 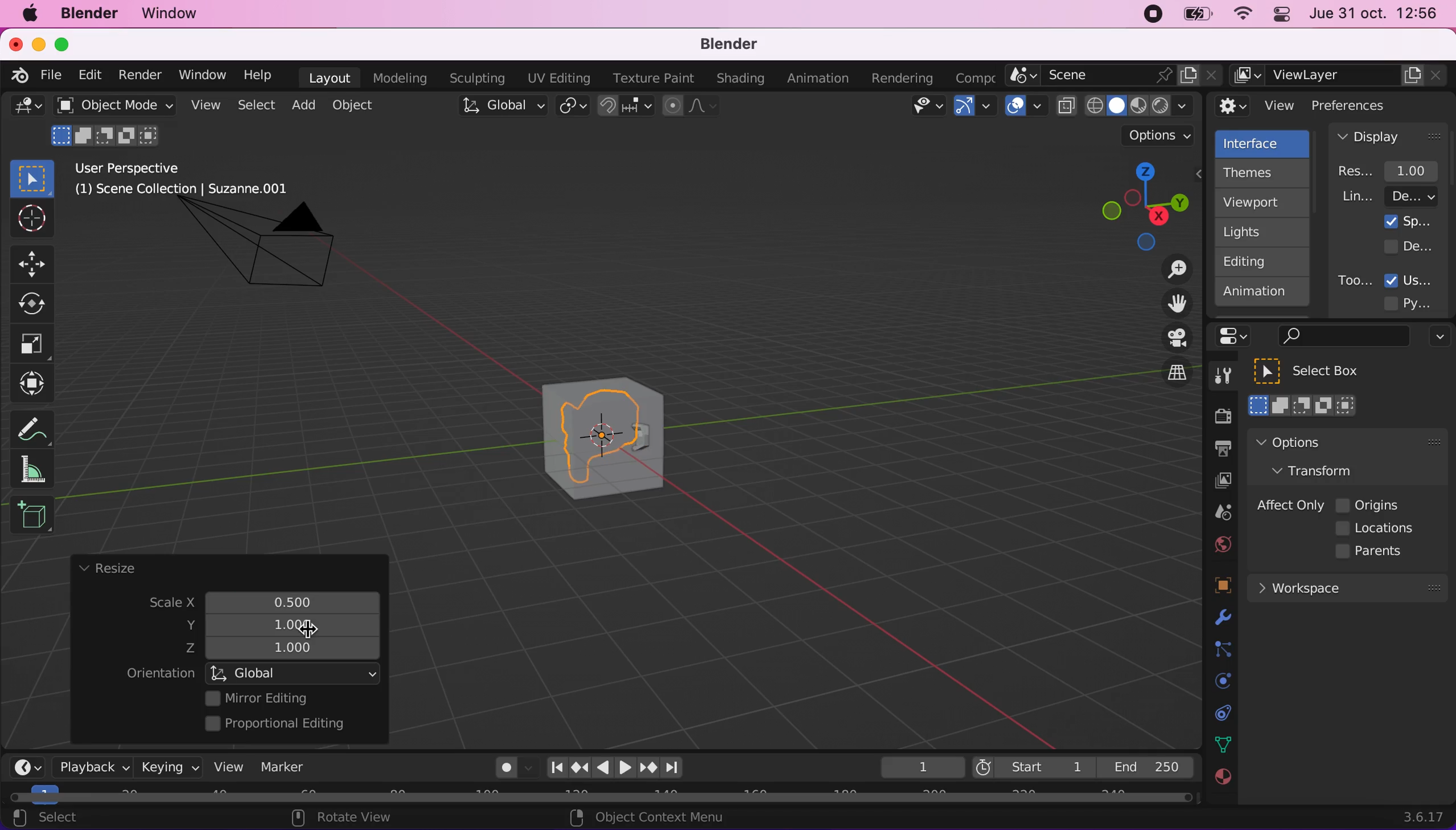 What do you see at coordinates (283, 767) in the screenshot?
I see `marker` at bounding box center [283, 767].